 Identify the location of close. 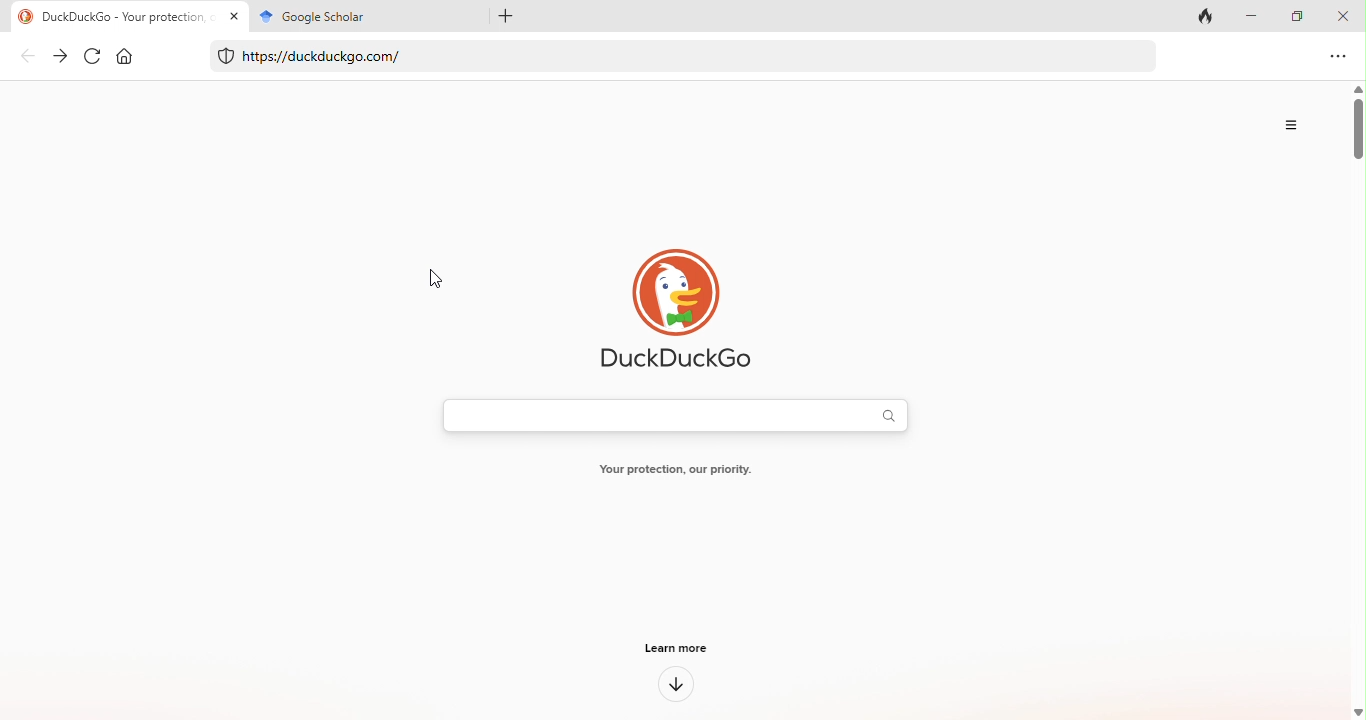
(1346, 15).